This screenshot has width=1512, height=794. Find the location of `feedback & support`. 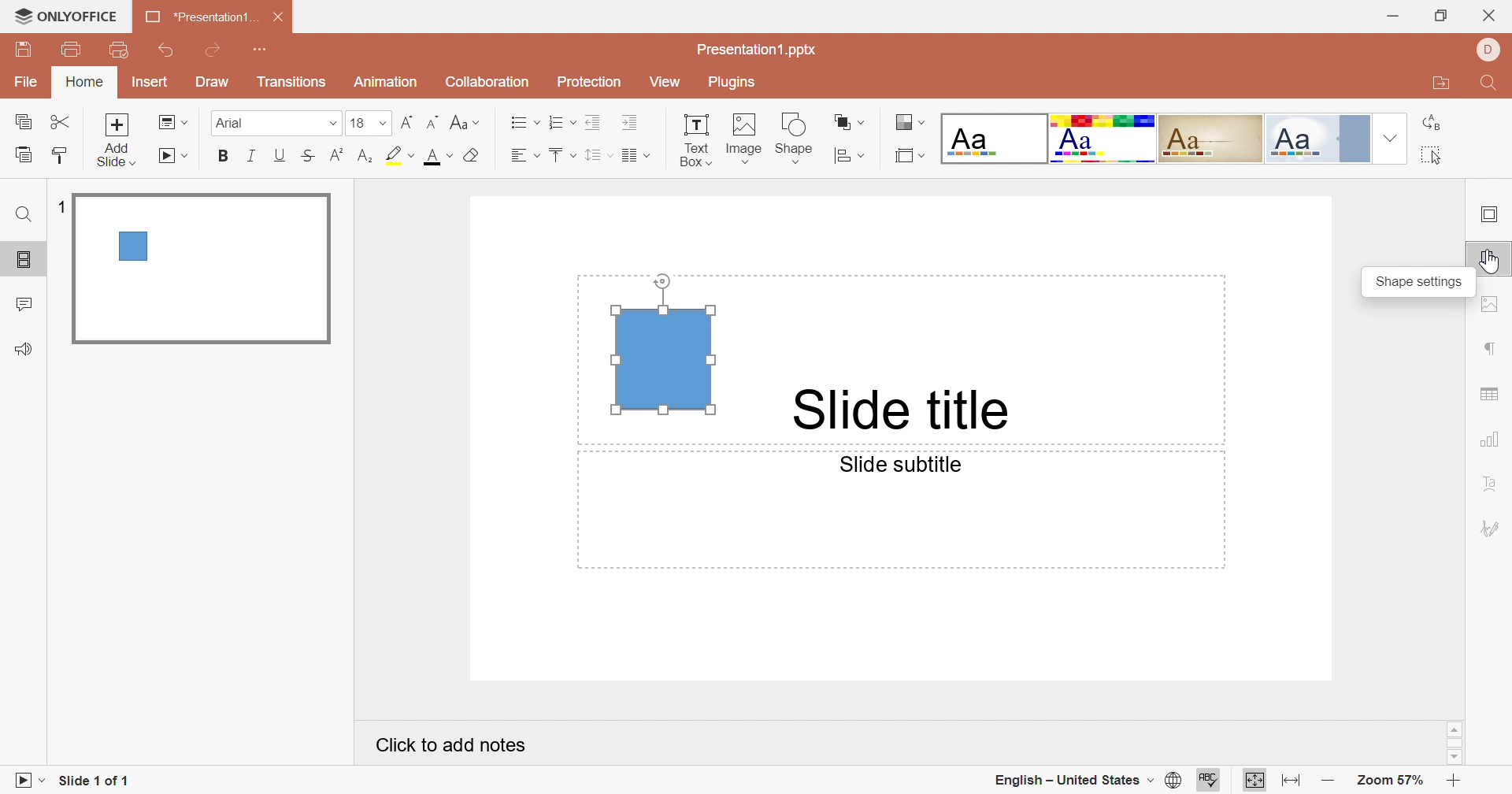

feedback & support is located at coordinates (23, 348).